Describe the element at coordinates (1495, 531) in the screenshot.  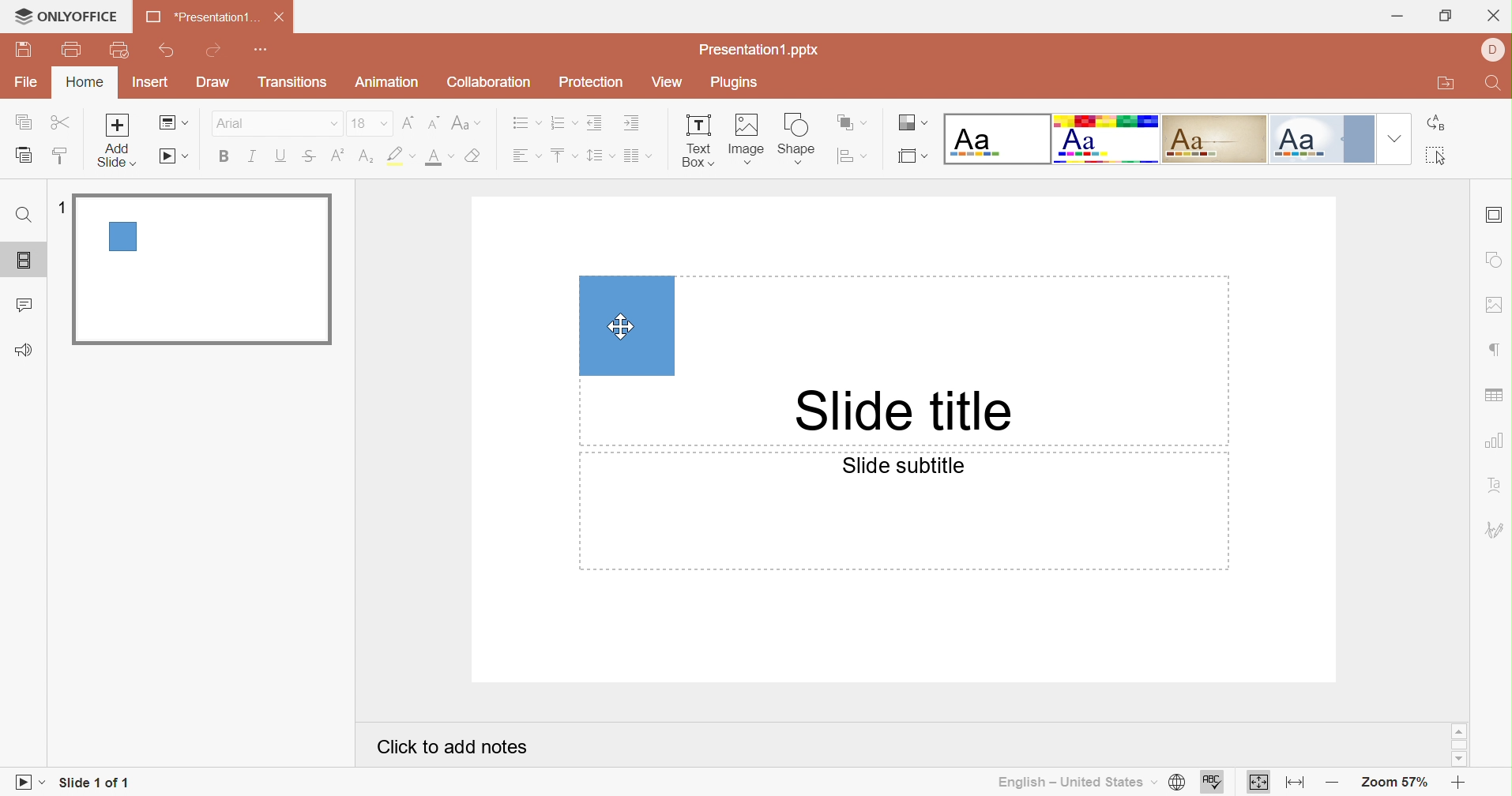
I see `Signature settings` at that location.